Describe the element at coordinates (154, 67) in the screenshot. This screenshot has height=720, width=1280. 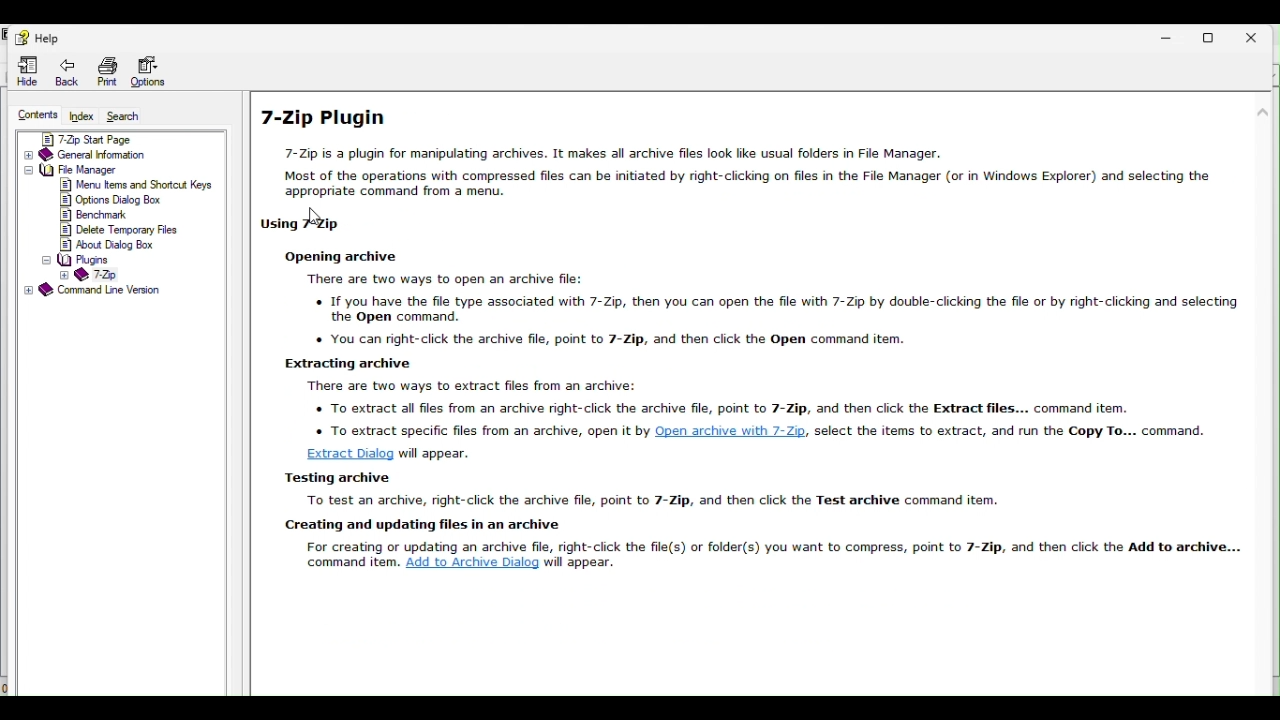
I see `Options` at that location.